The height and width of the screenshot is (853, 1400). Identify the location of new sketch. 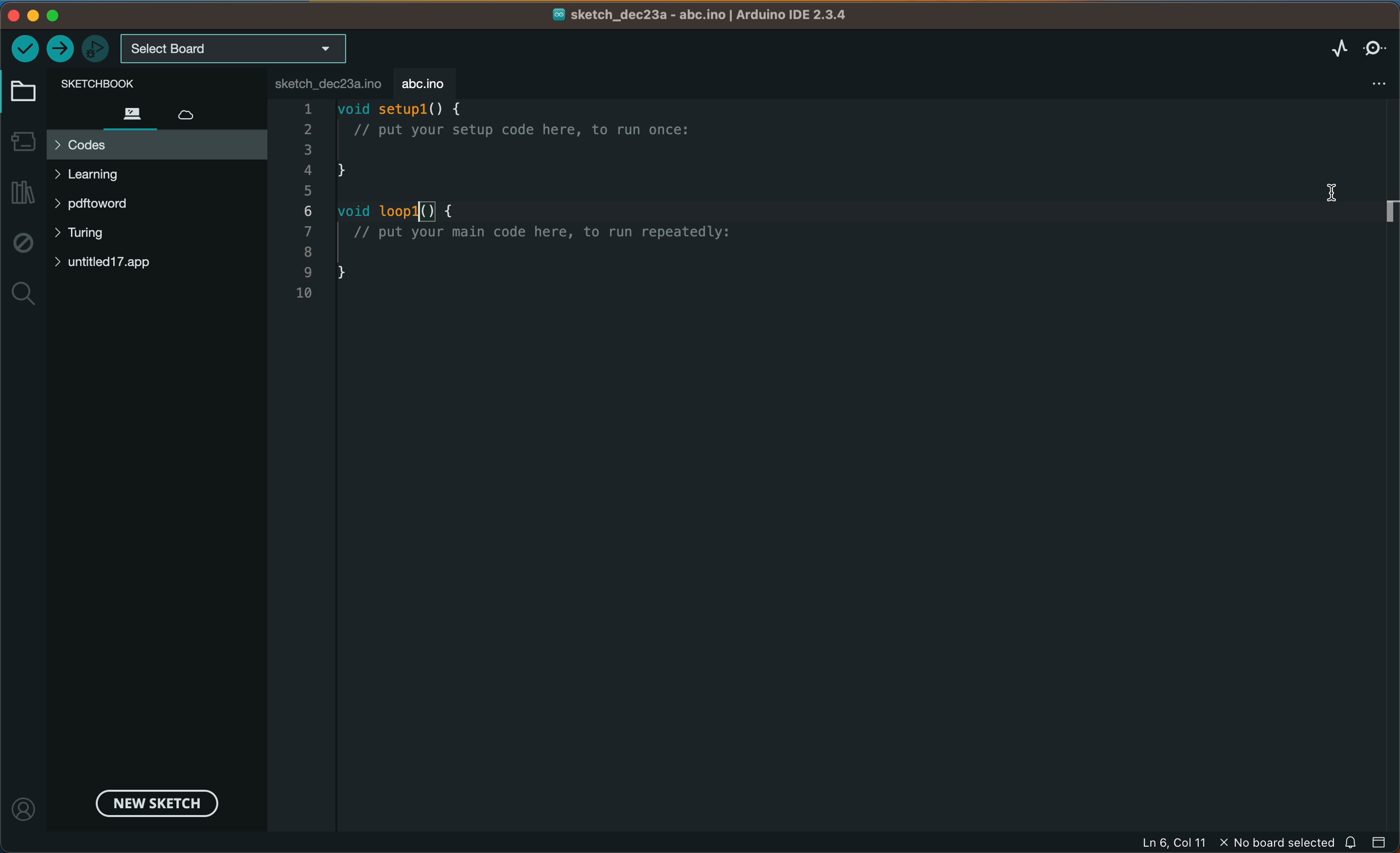
(155, 801).